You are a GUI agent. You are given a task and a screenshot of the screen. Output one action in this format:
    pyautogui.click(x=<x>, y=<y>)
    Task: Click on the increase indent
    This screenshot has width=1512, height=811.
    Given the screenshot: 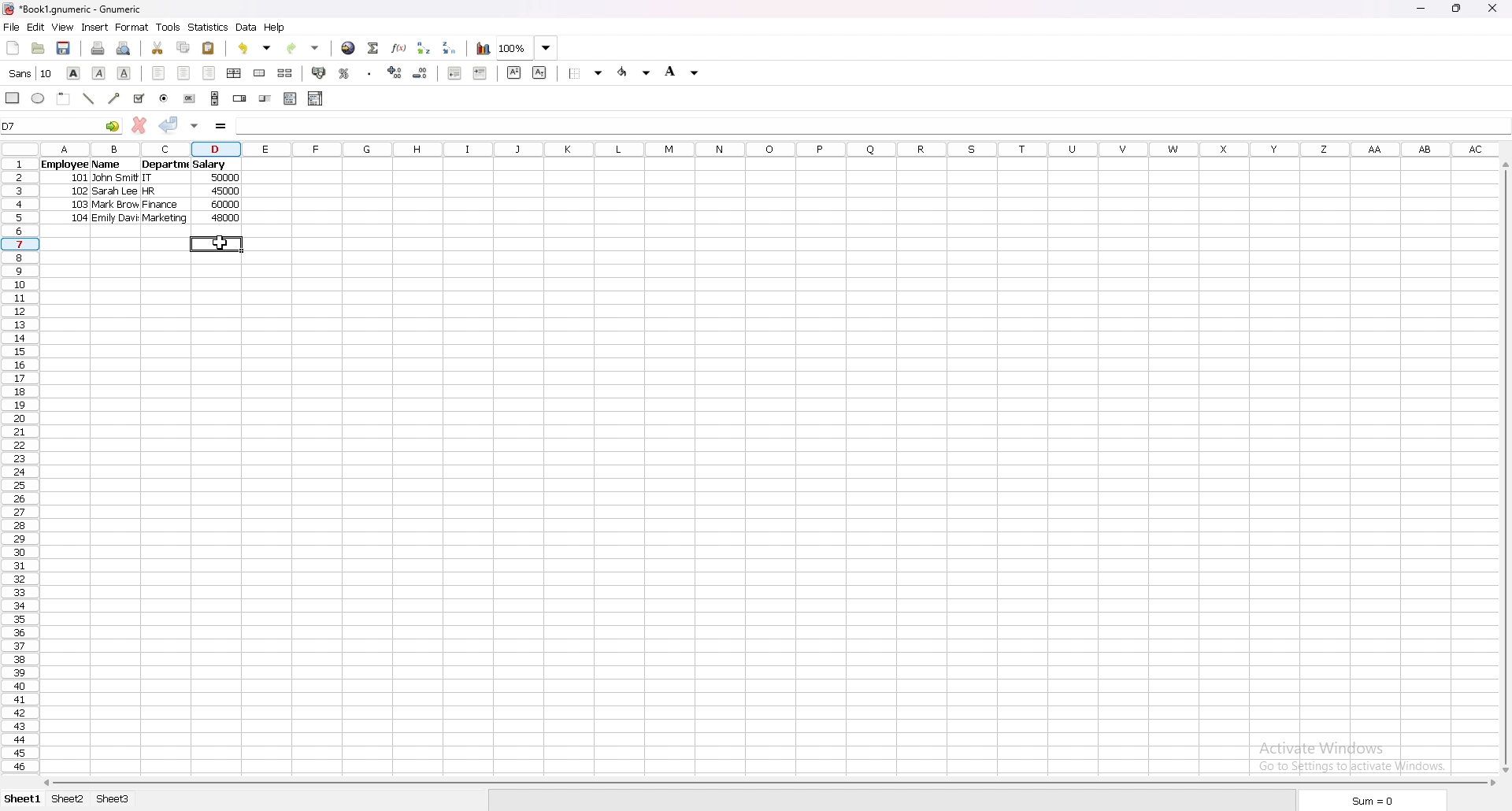 What is the action you would take?
    pyautogui.click(x=480, y=72)
    